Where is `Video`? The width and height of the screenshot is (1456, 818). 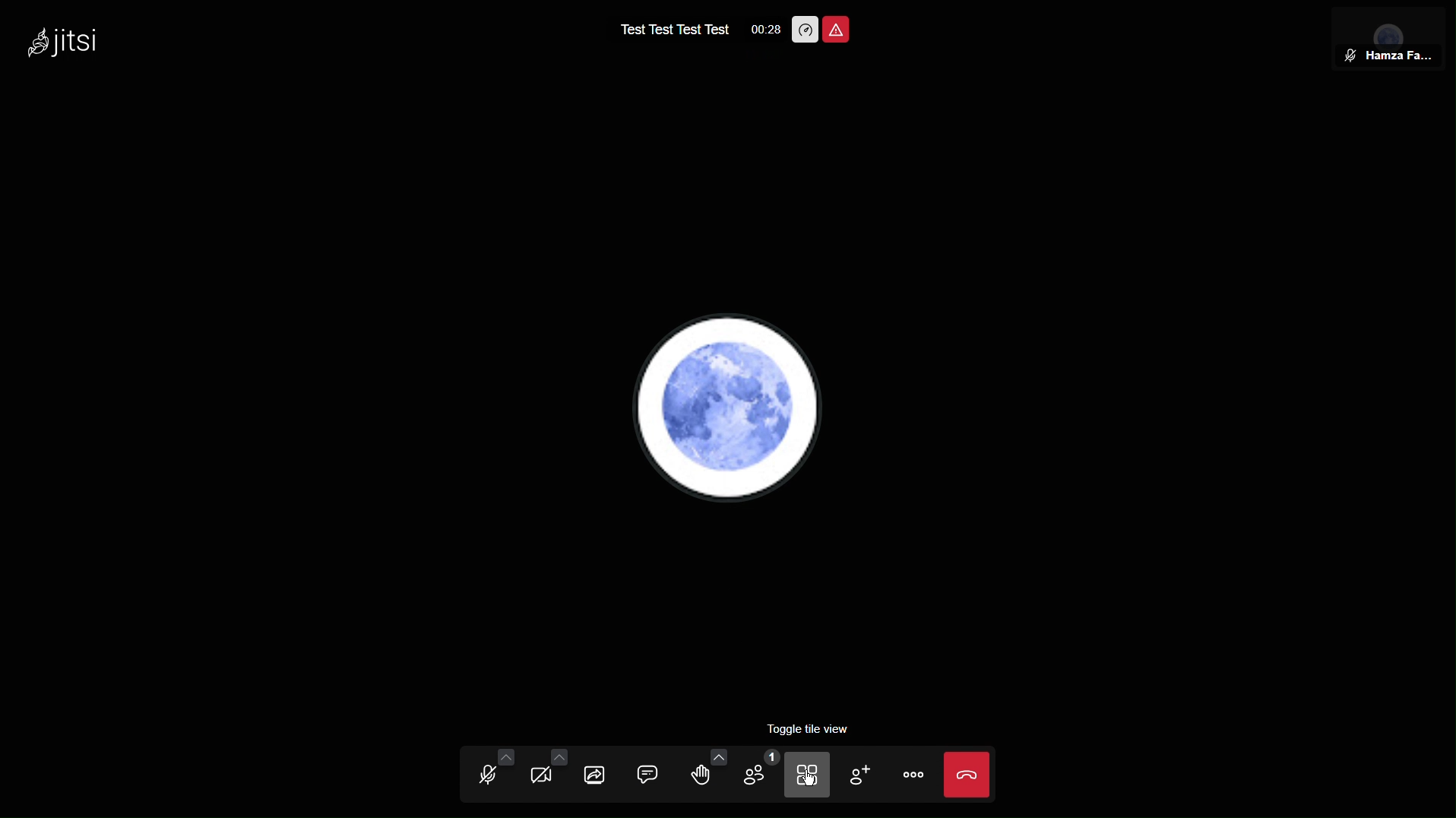
Video is located at coordinates (545, 774).